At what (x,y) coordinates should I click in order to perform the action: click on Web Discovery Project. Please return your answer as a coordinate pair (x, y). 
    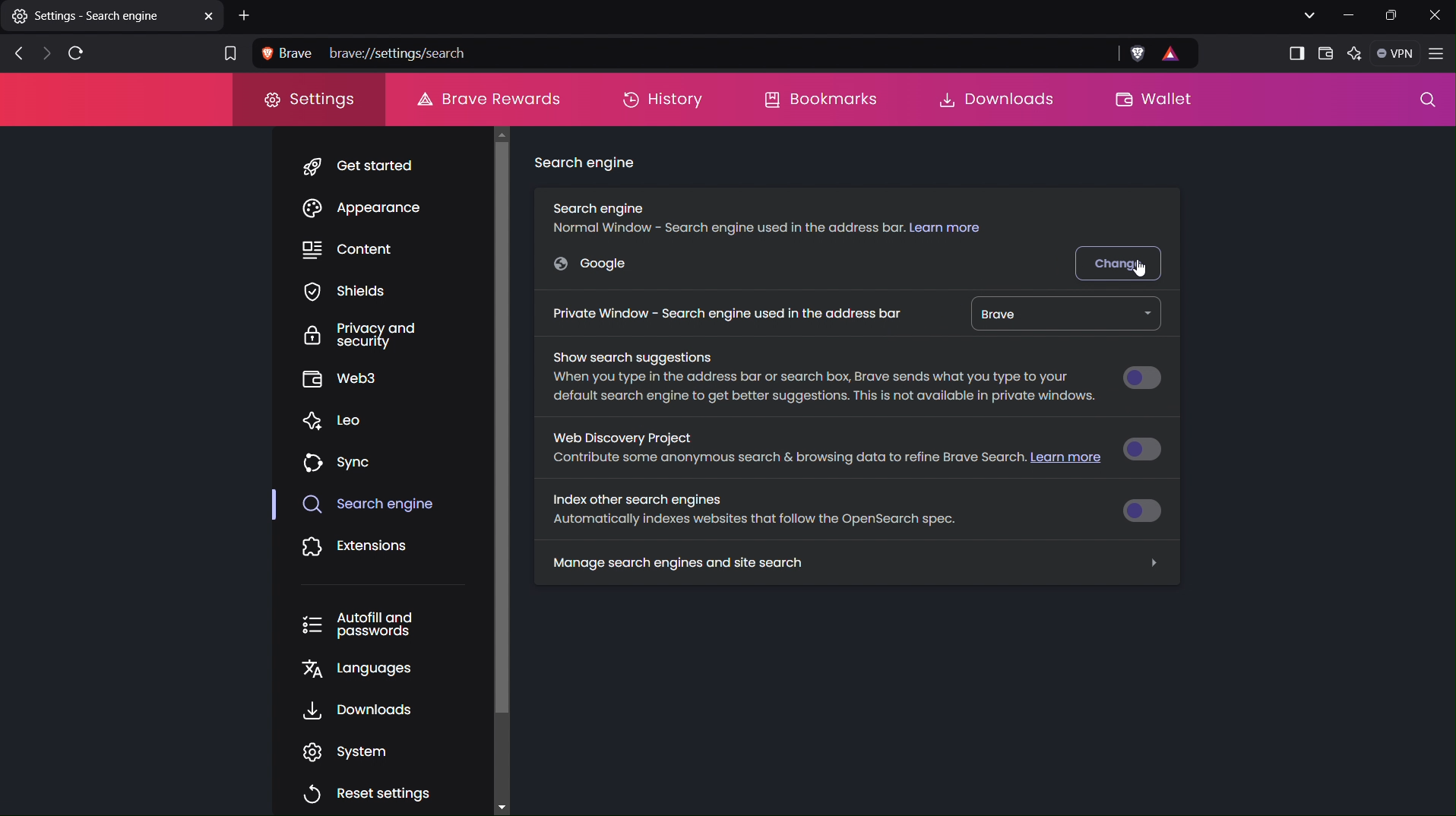
    Looking at the image, I should click on (821, 451).